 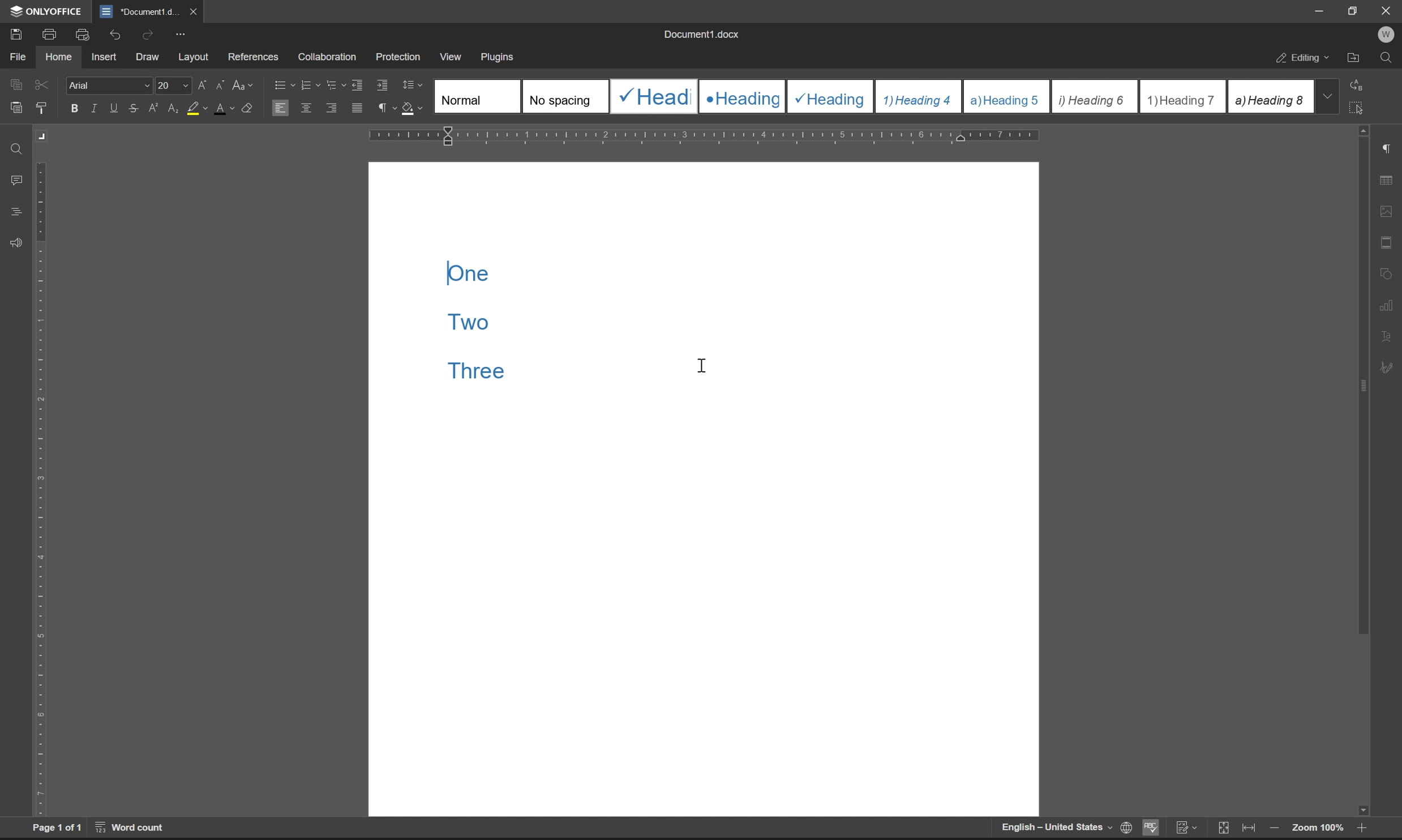 What do you see at coordinates (194, 57) in the screenshot?
I see `layout` at bounding box center [194, 57].